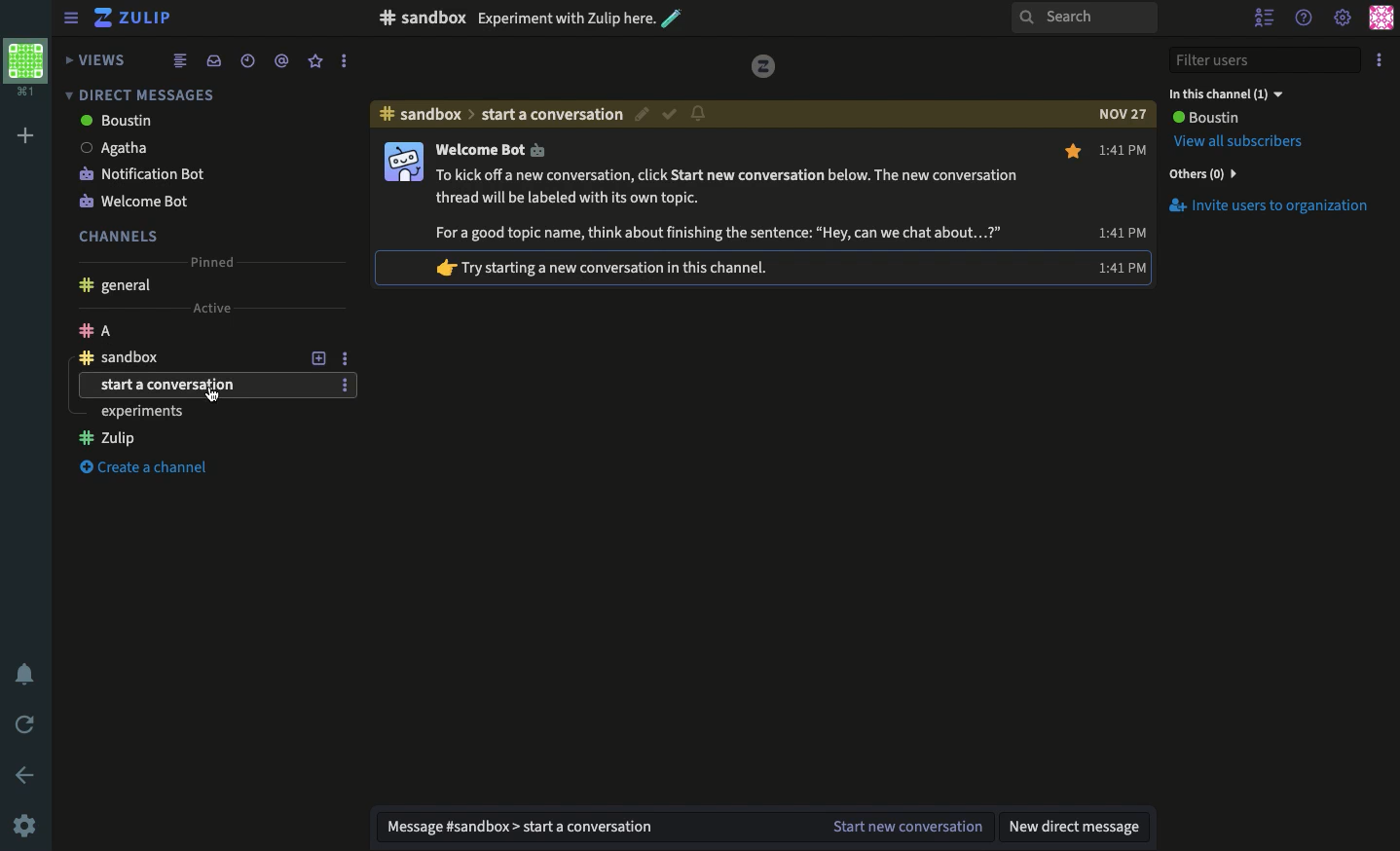 The image size is (1400, 851). What do you see at coordinates (343, 61) in the screenshot?
I see `Options` at bounding box center [343, 61].